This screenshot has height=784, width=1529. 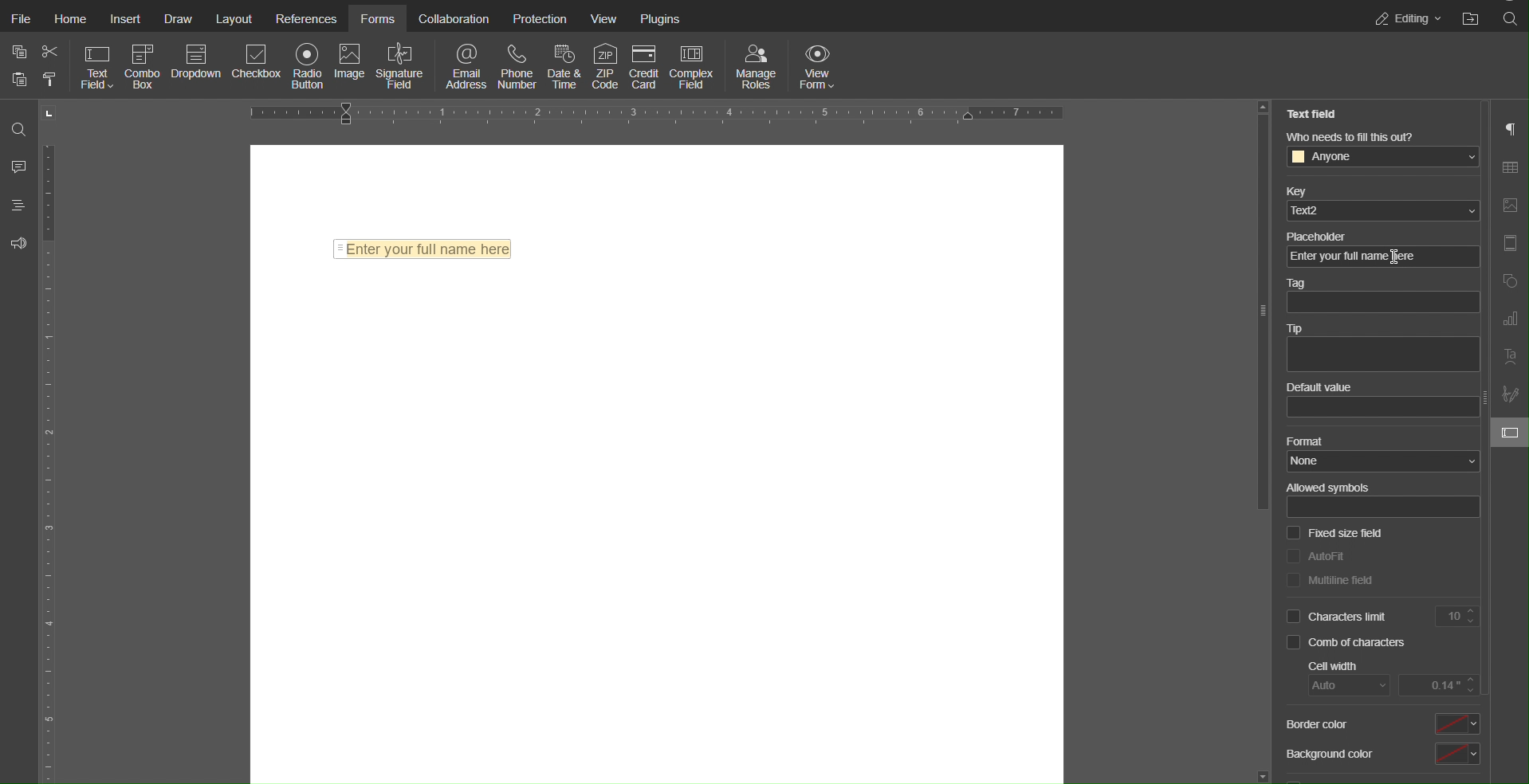 I want to click on Who needs to fill this out?, so click(x=1378, y=151).